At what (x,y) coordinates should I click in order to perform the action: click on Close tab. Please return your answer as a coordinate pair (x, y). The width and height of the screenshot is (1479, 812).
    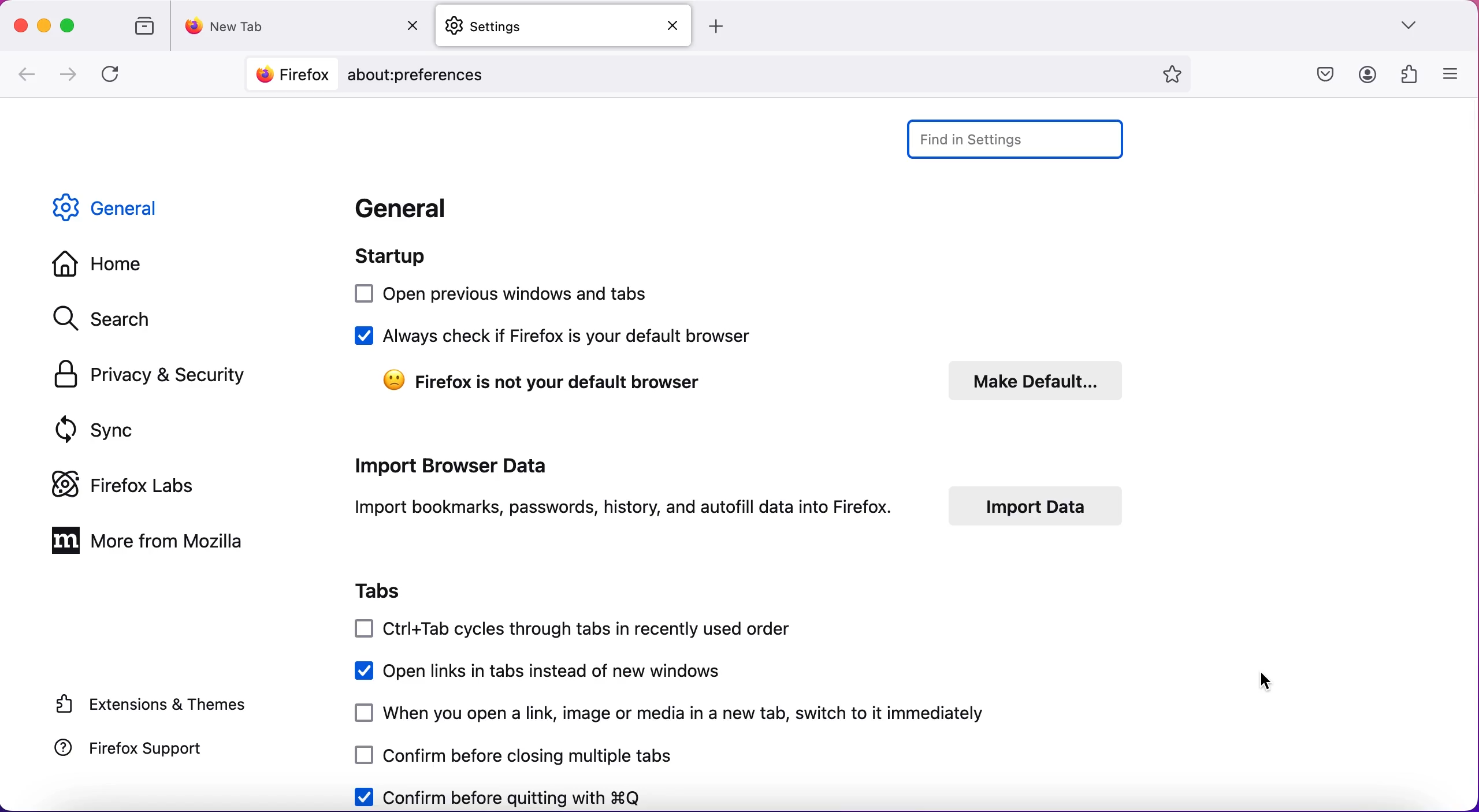
    Looking at the image, I should click on (683, 25).